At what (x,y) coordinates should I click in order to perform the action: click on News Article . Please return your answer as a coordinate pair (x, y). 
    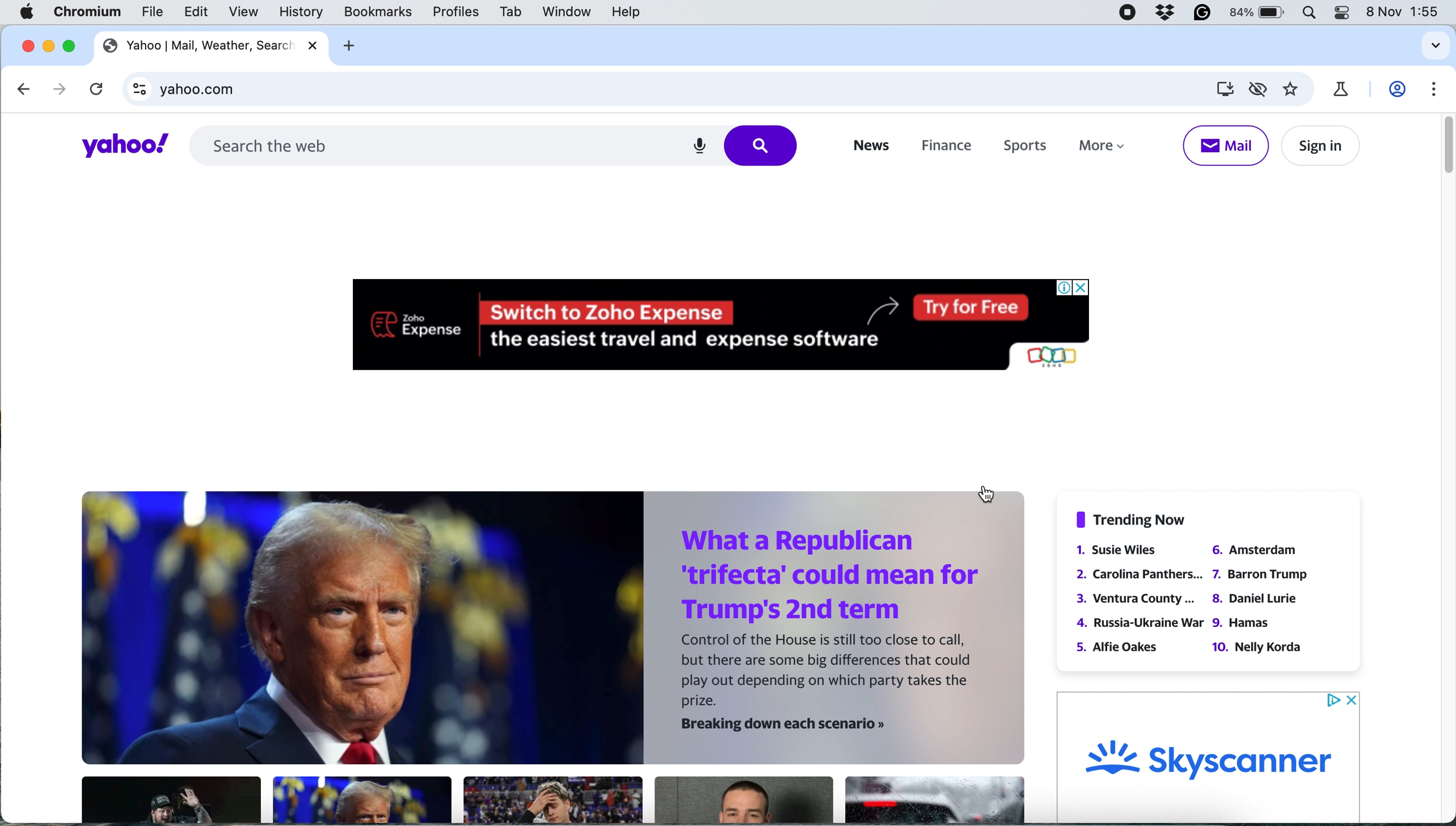
    Looking at the image, I should click on (744, 800).